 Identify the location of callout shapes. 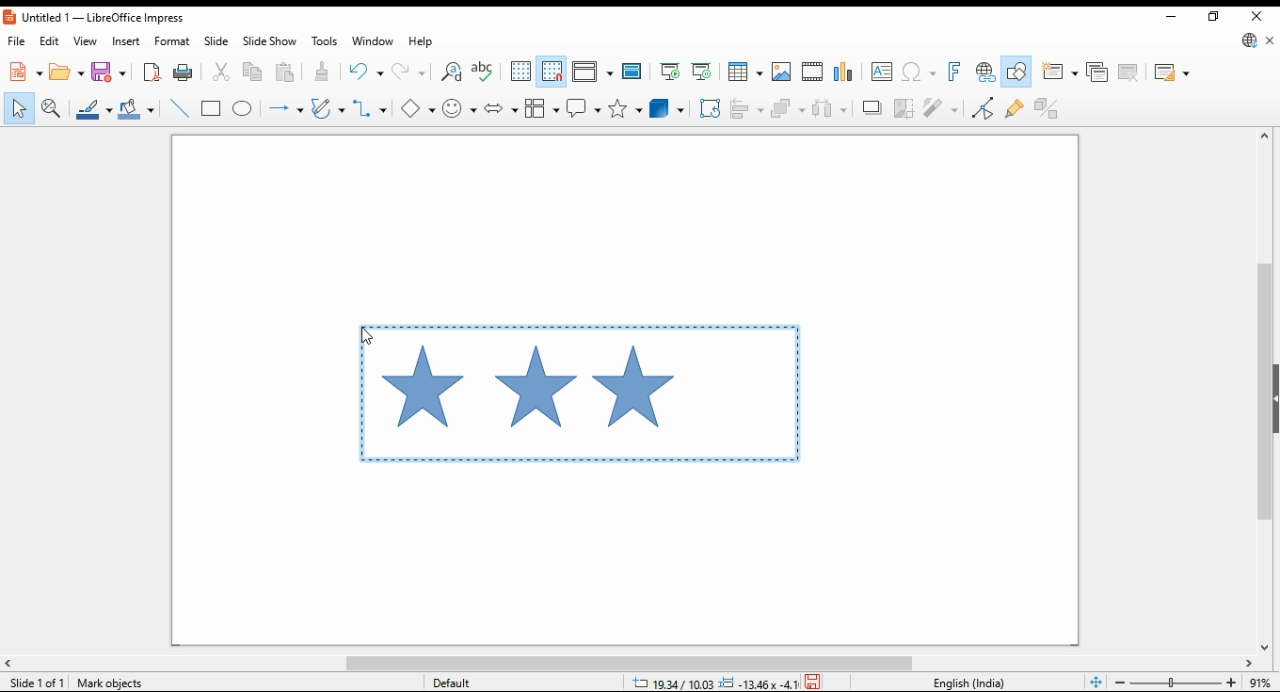
(583, 108).